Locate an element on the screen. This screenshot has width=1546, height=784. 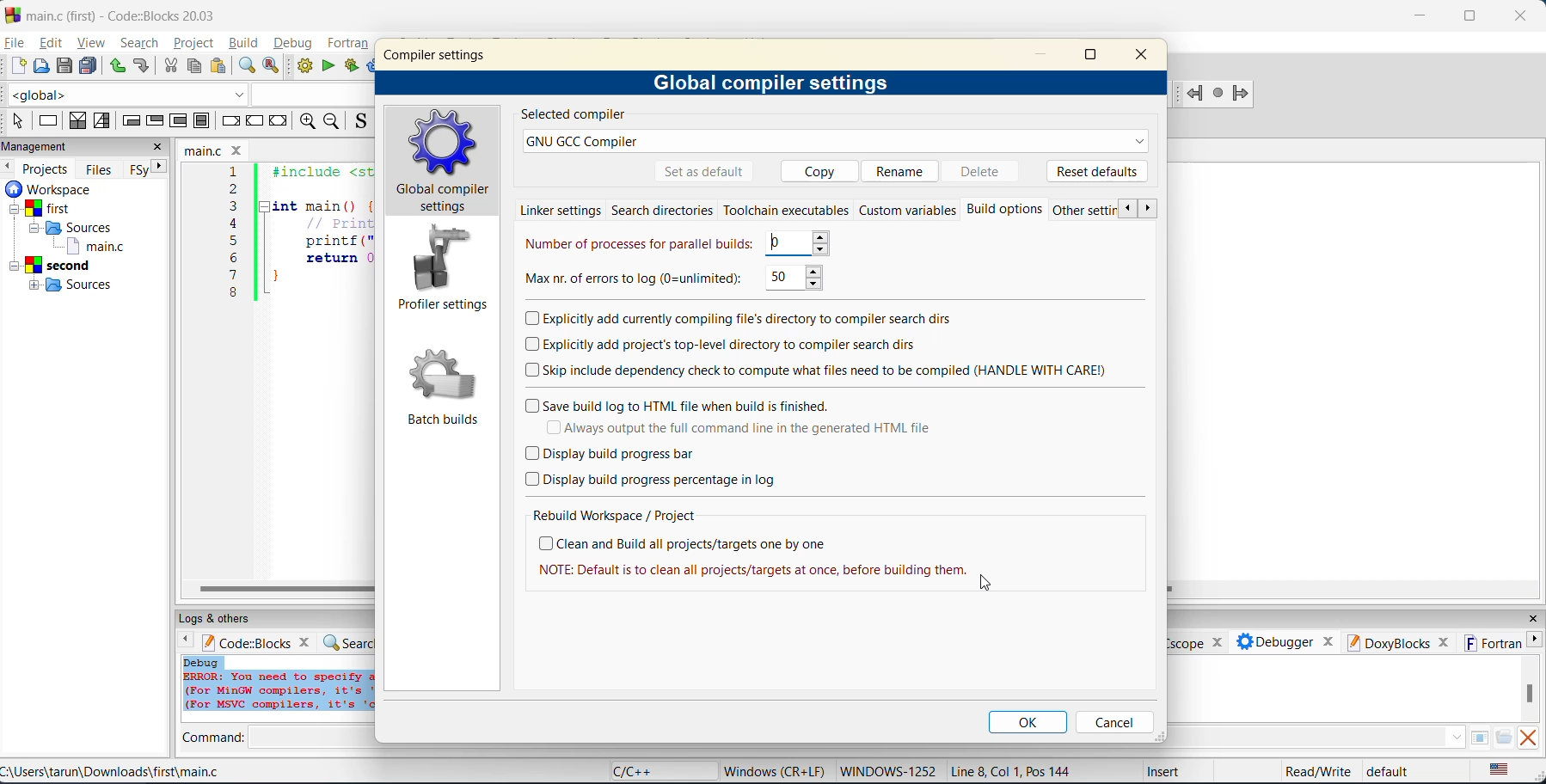
decision is located at coordinates (77, 122).